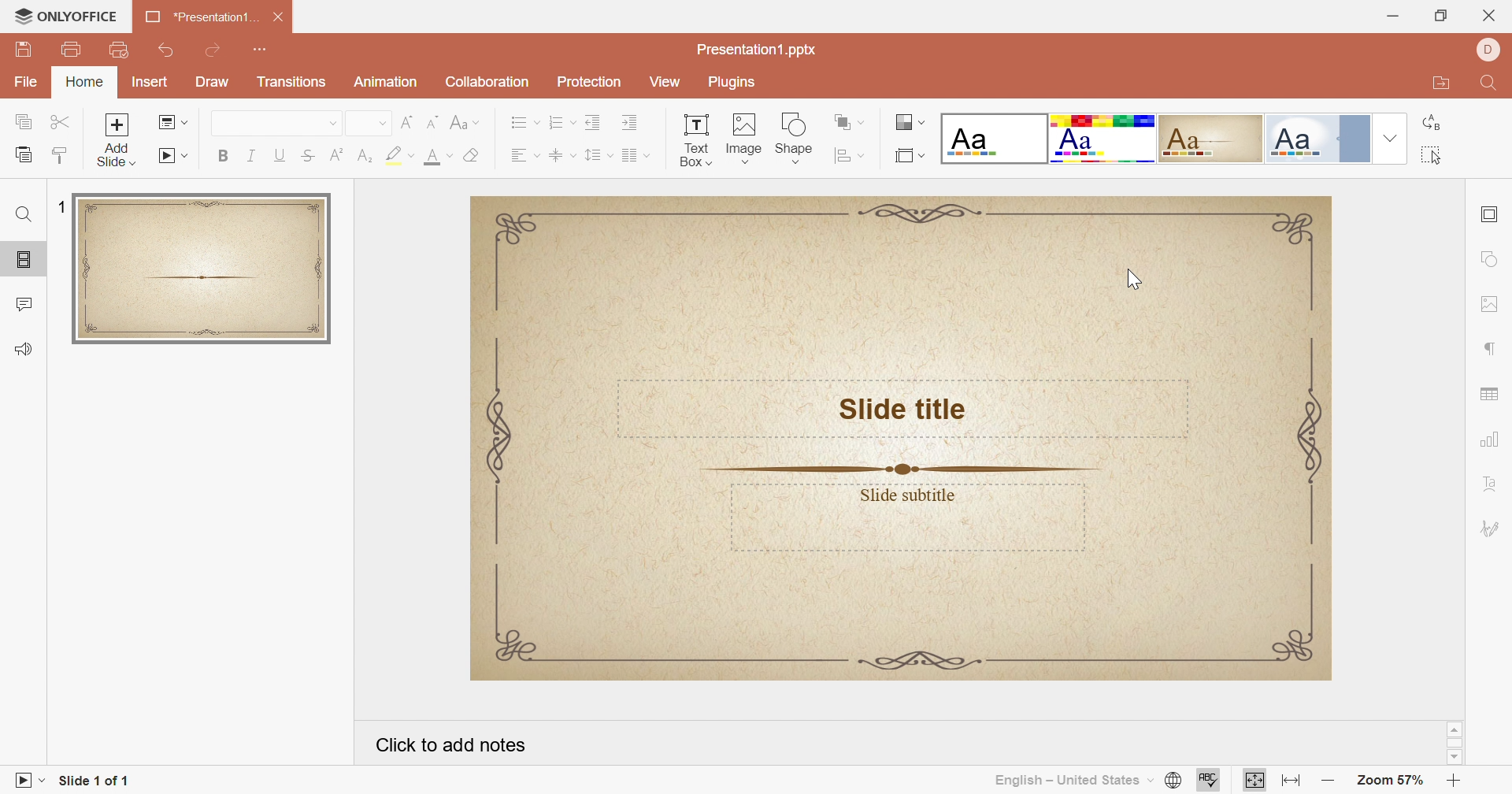 The width and height of the screenshot is (1512, 794). What do you see at coordinates (24, 215) in the screenshot?
I see `Find` at bounding box center [24, 215].